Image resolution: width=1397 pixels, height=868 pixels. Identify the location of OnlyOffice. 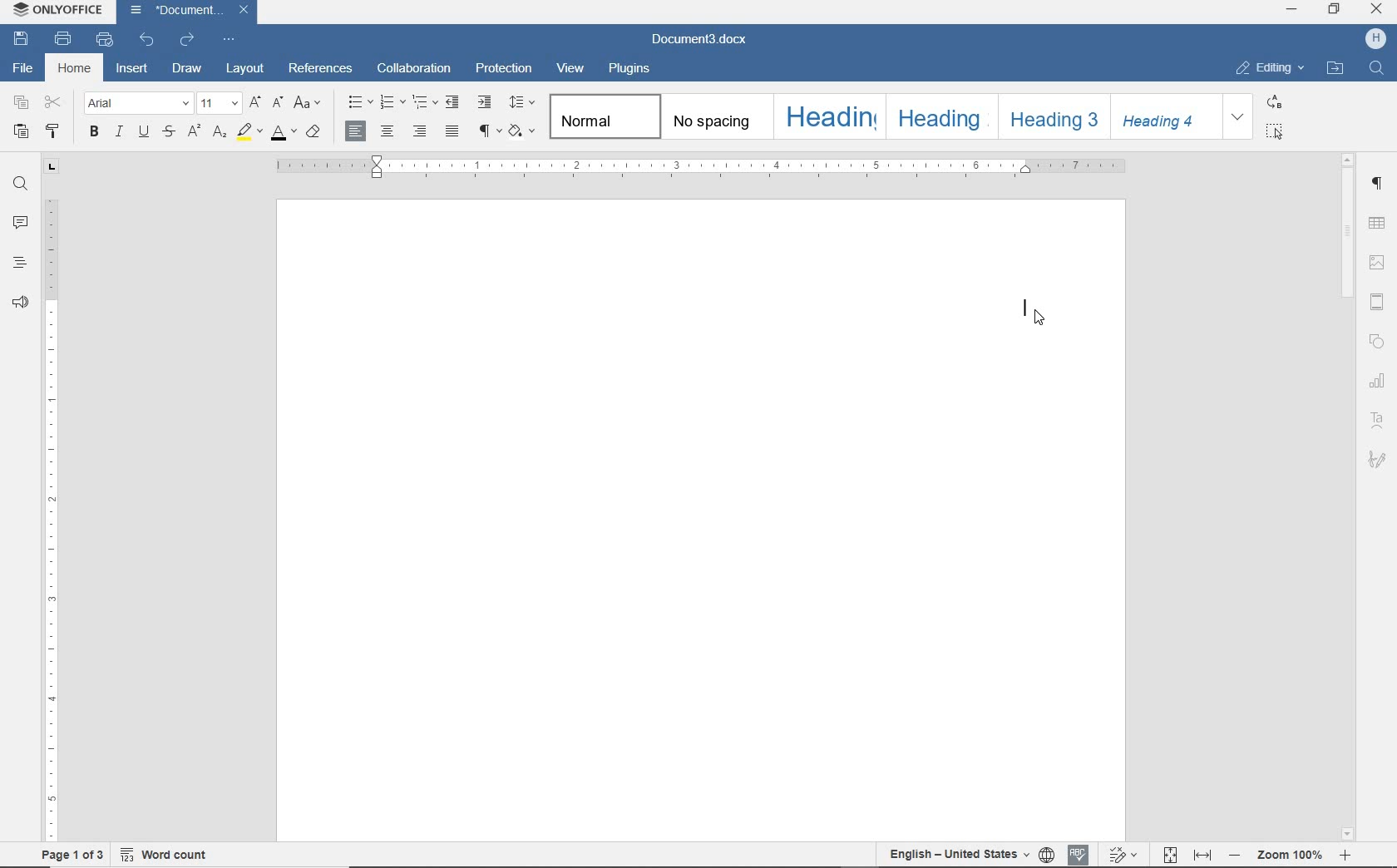
(56, 11).